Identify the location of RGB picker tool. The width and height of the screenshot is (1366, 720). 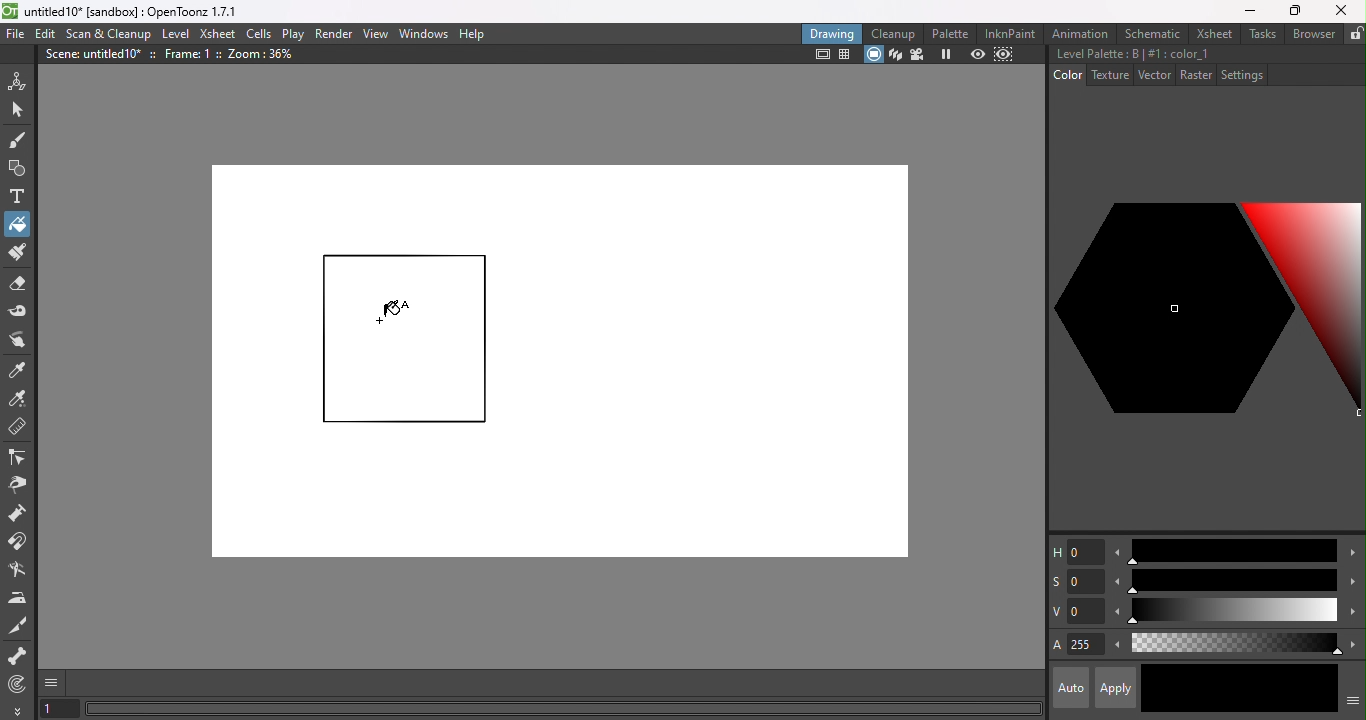
(18, 398).